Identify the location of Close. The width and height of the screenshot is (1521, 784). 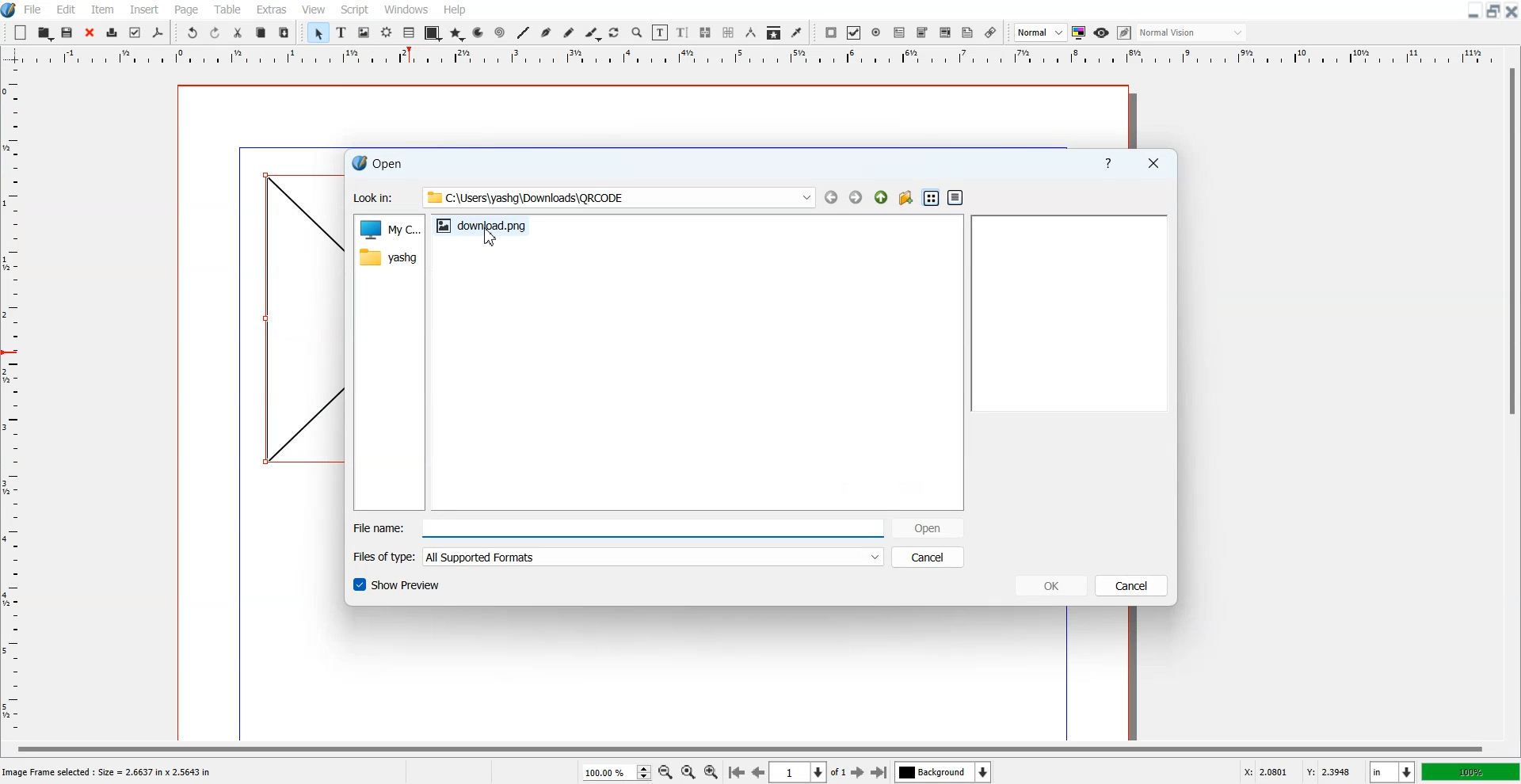
(1511, 11).